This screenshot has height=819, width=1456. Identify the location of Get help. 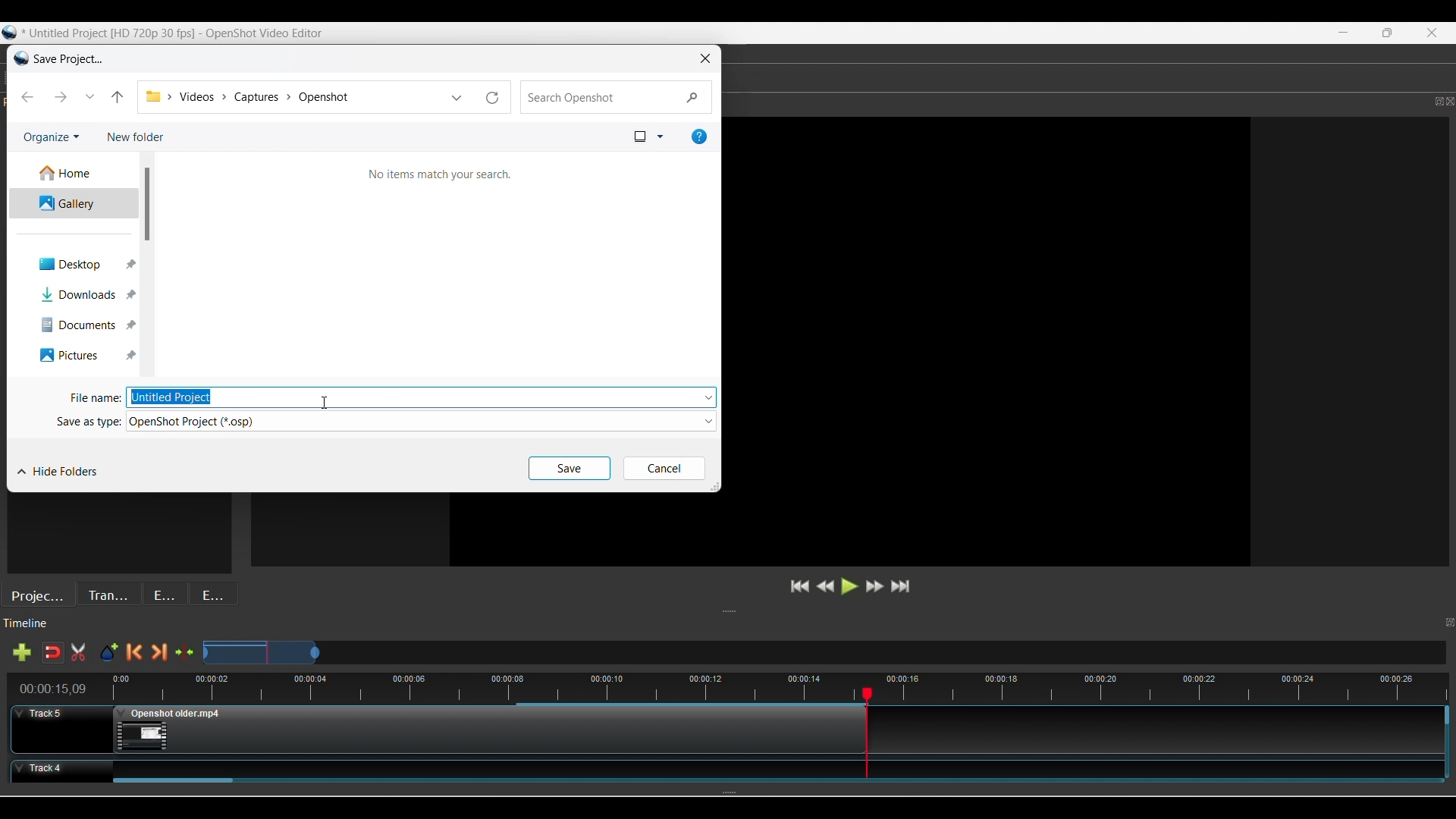
(700, 136).